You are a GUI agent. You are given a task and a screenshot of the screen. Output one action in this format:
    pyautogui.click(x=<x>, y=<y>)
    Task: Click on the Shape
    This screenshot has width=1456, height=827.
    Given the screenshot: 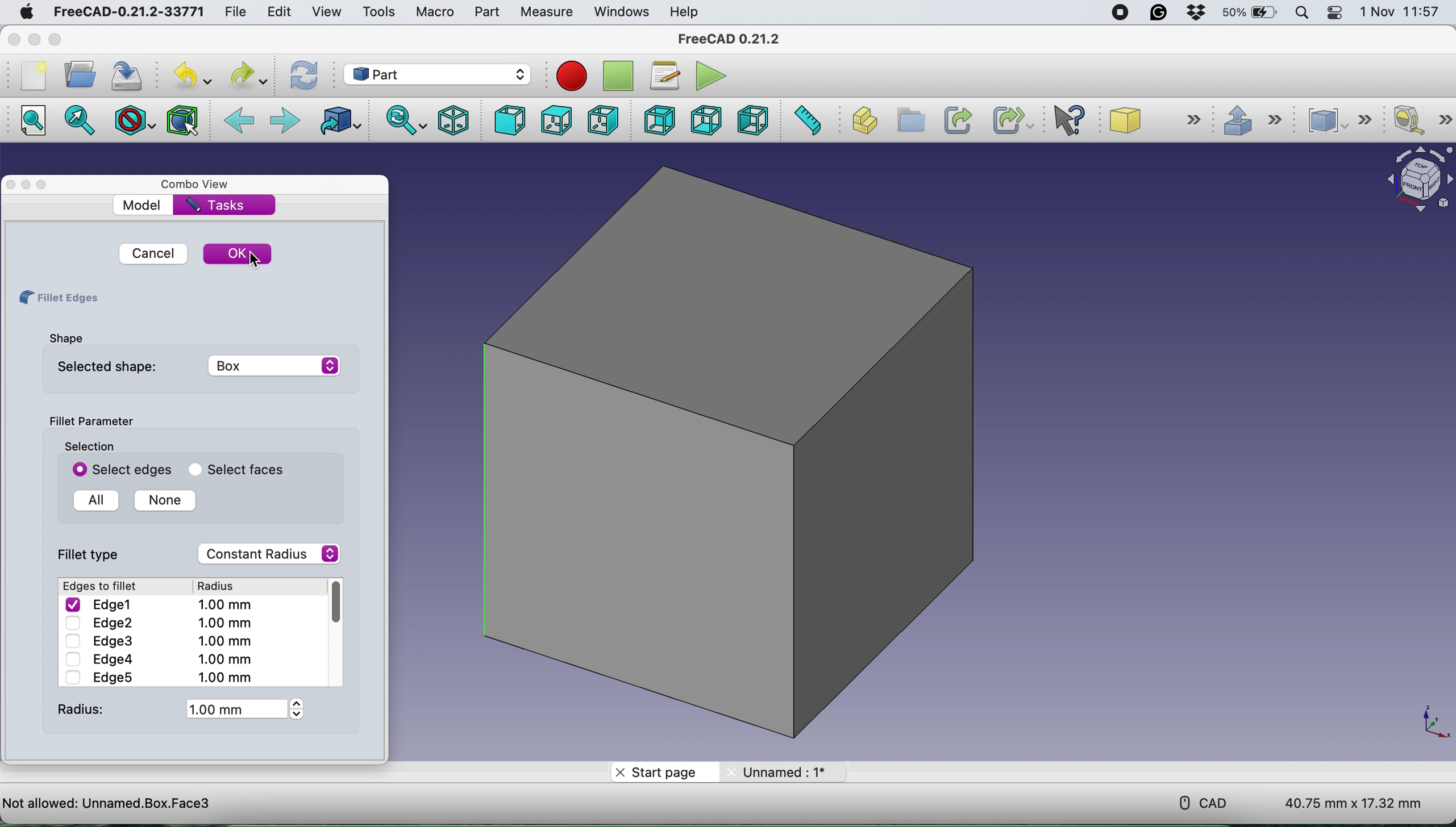 What is the action you would take?
    pyautogui.click(x=65, y=337)
    